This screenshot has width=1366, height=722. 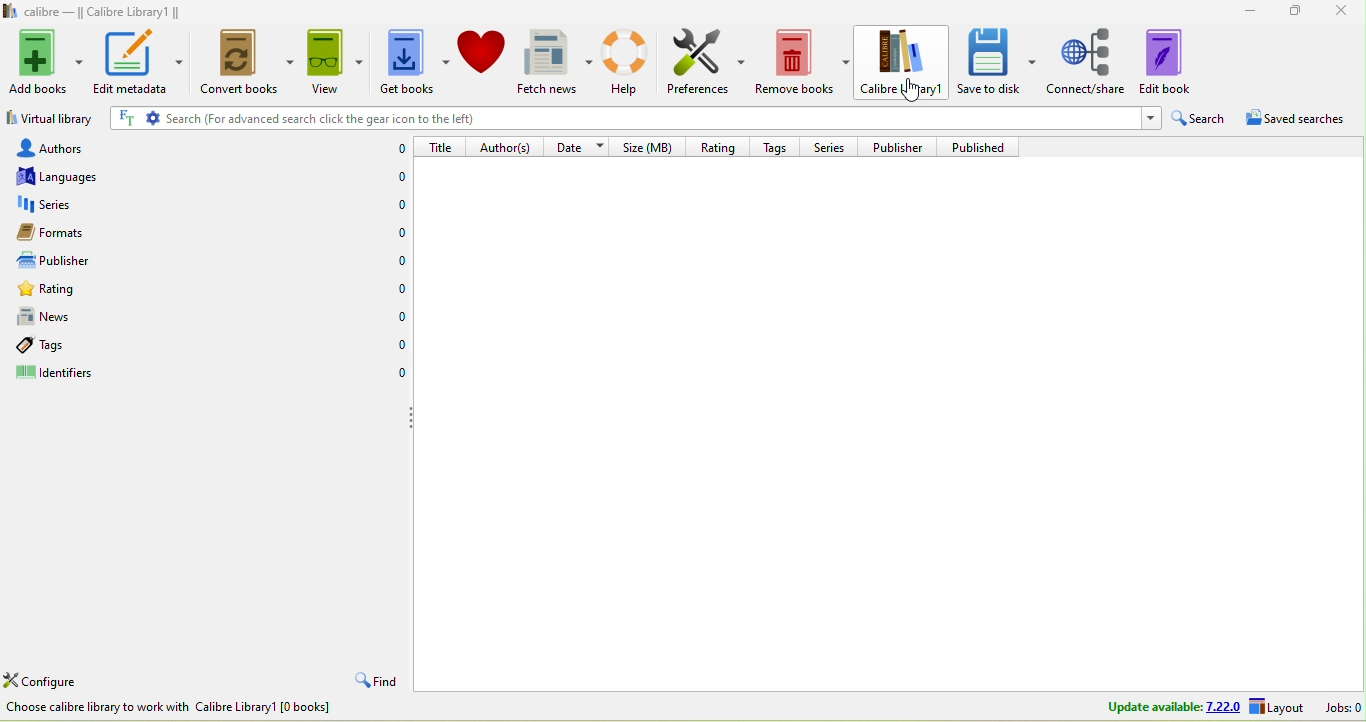 What do you see at coordinates (985, 147) in the screenshot?
I see `published` at bounding box center [985, 147].